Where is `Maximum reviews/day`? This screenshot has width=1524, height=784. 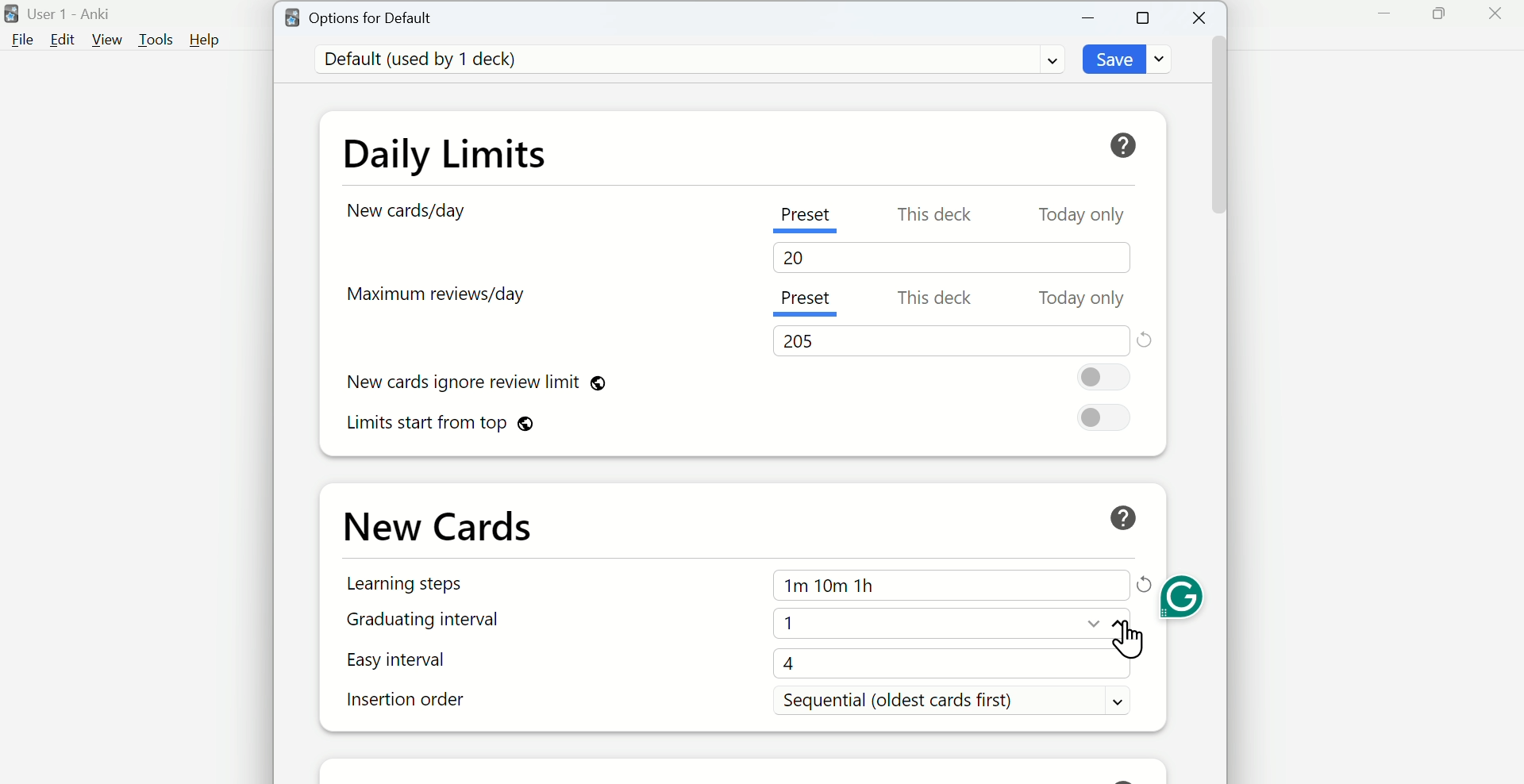 Maximum reviews/day is located at coordinates (445, 300).